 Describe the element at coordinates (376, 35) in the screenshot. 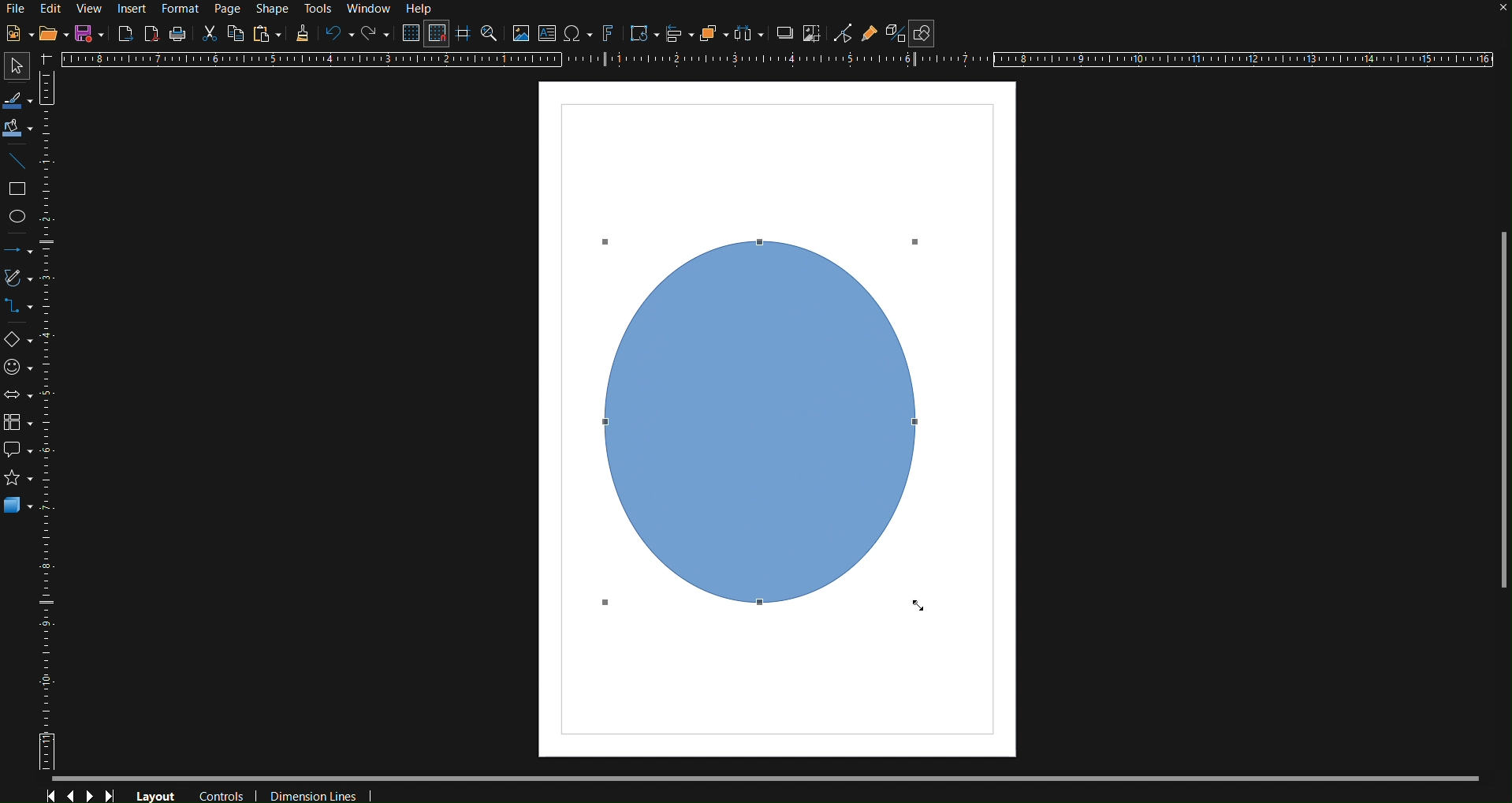

I see `Redo` at that location.